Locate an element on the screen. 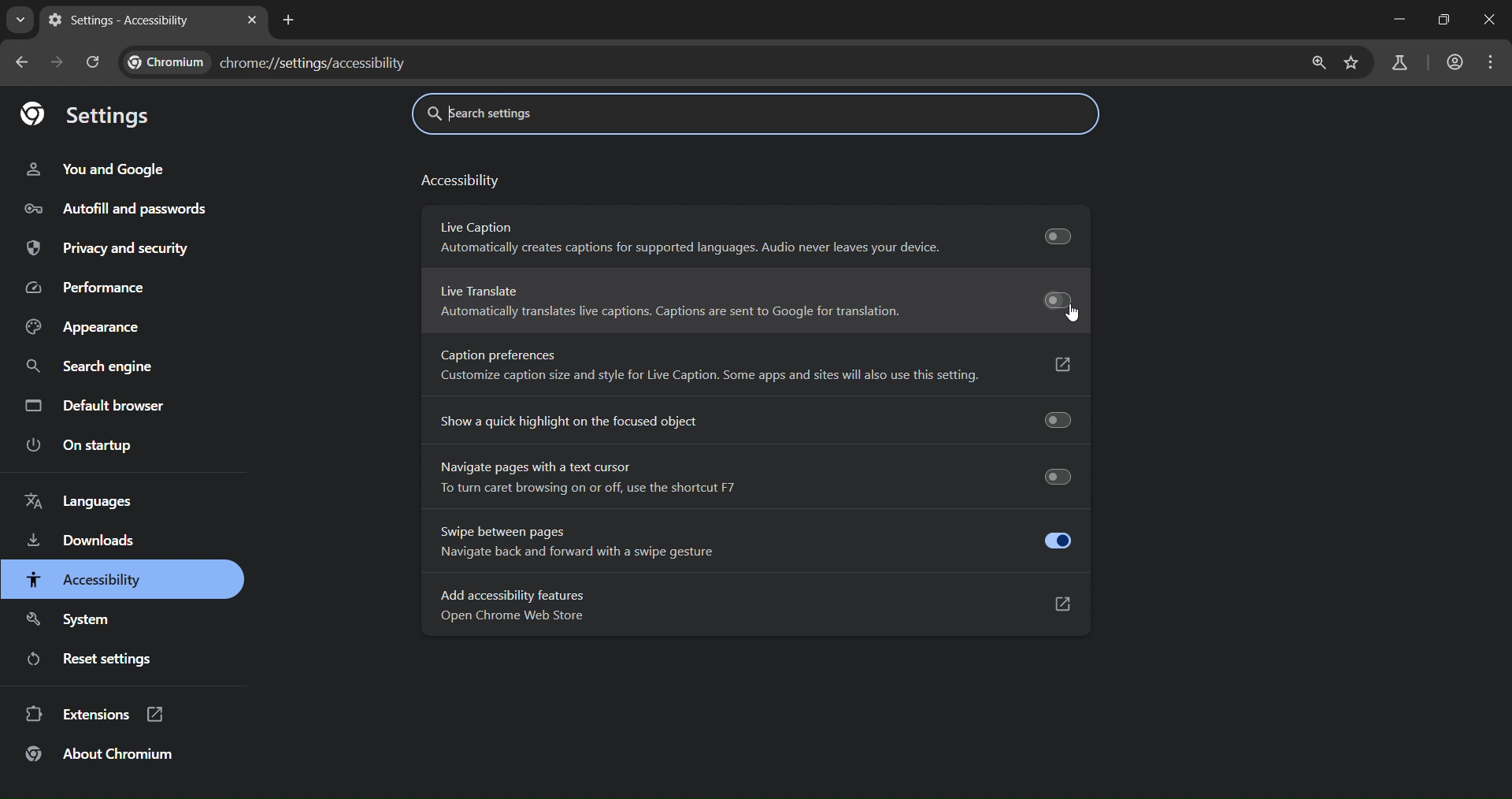  extensions is located at coordinates (100, 715).